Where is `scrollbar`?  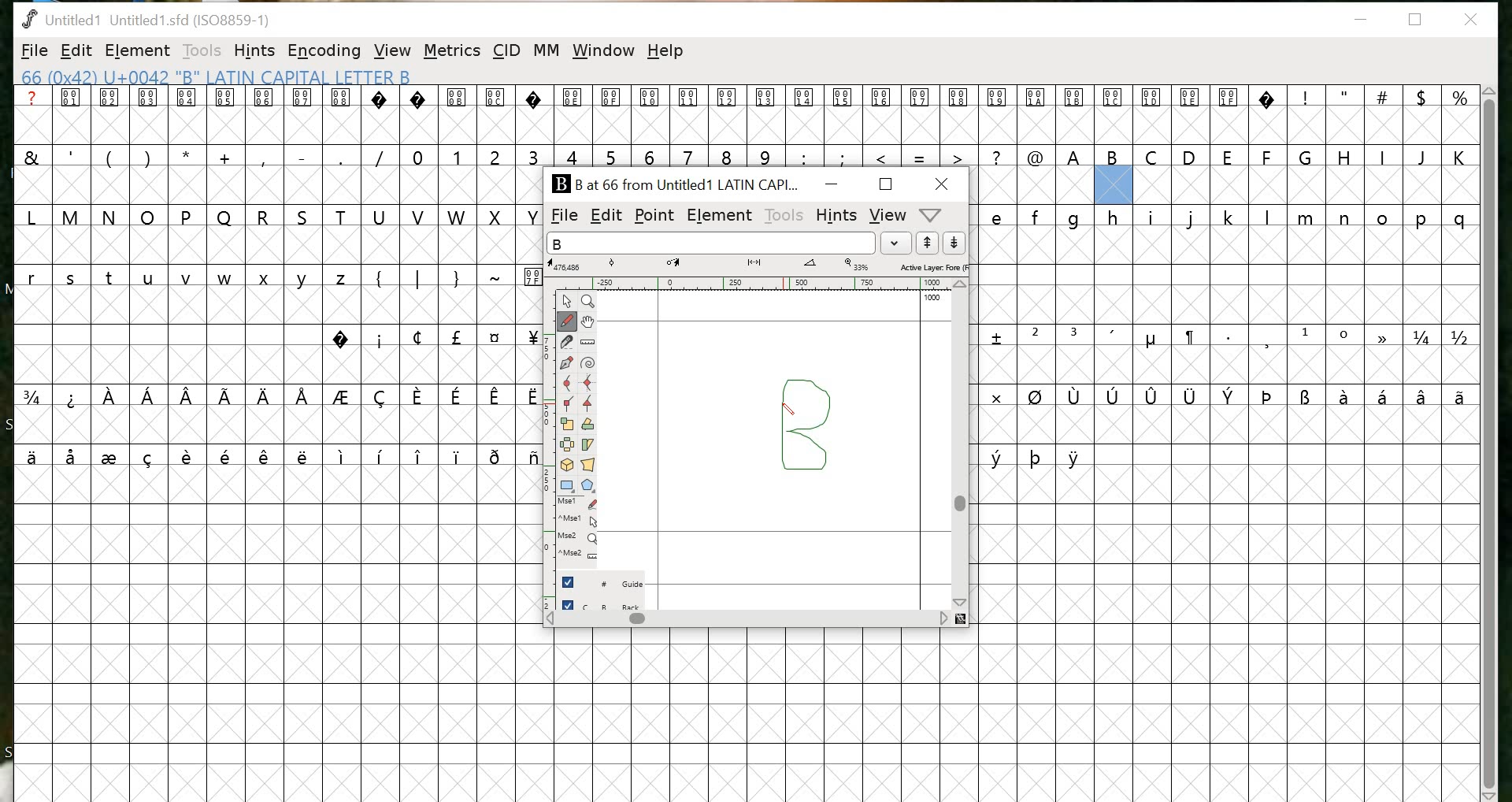 scrollbar is located at coordinates (754, 620).